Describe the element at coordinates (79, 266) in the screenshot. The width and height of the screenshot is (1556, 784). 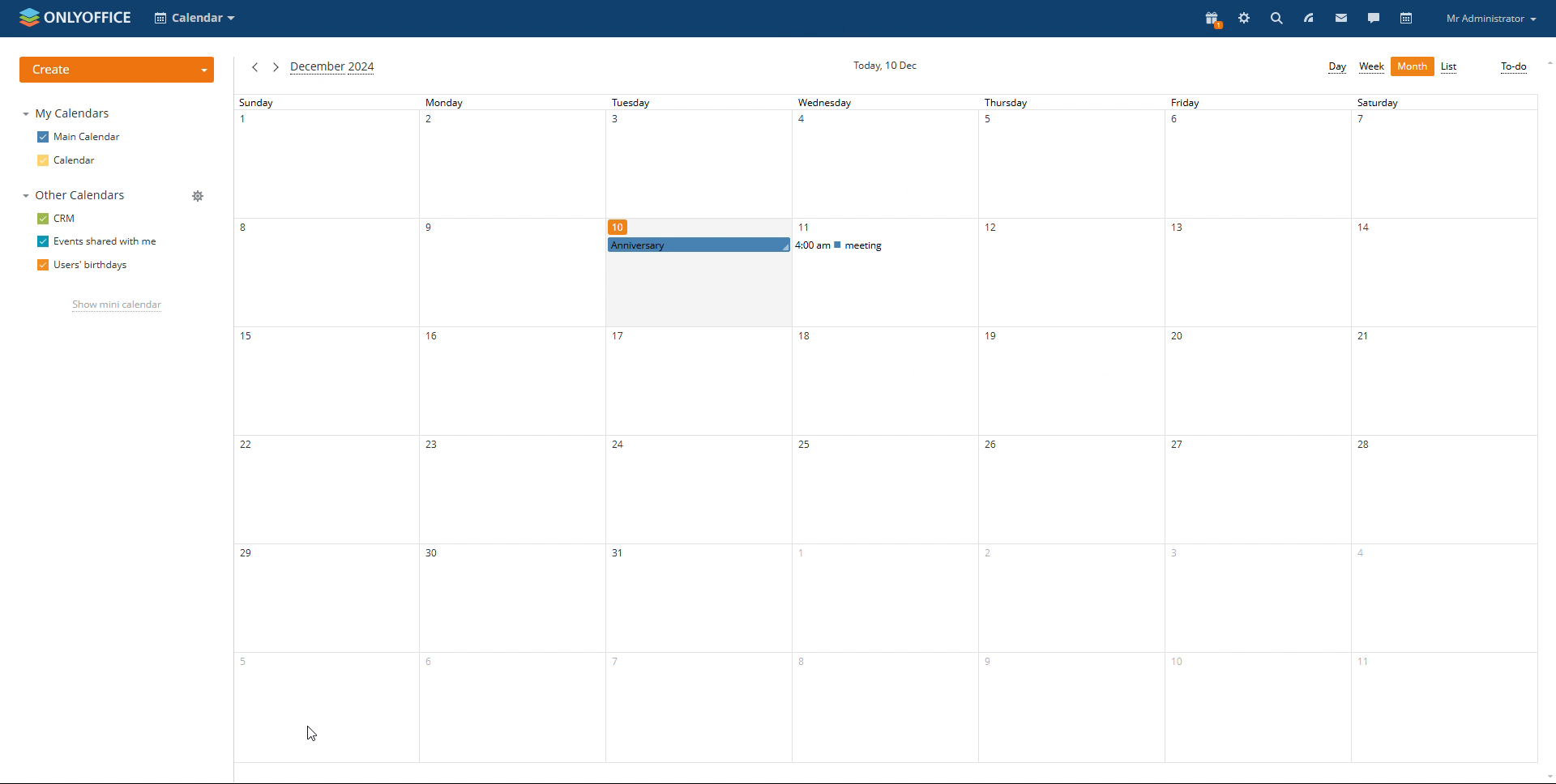
I see `users' birthdays` at that location.